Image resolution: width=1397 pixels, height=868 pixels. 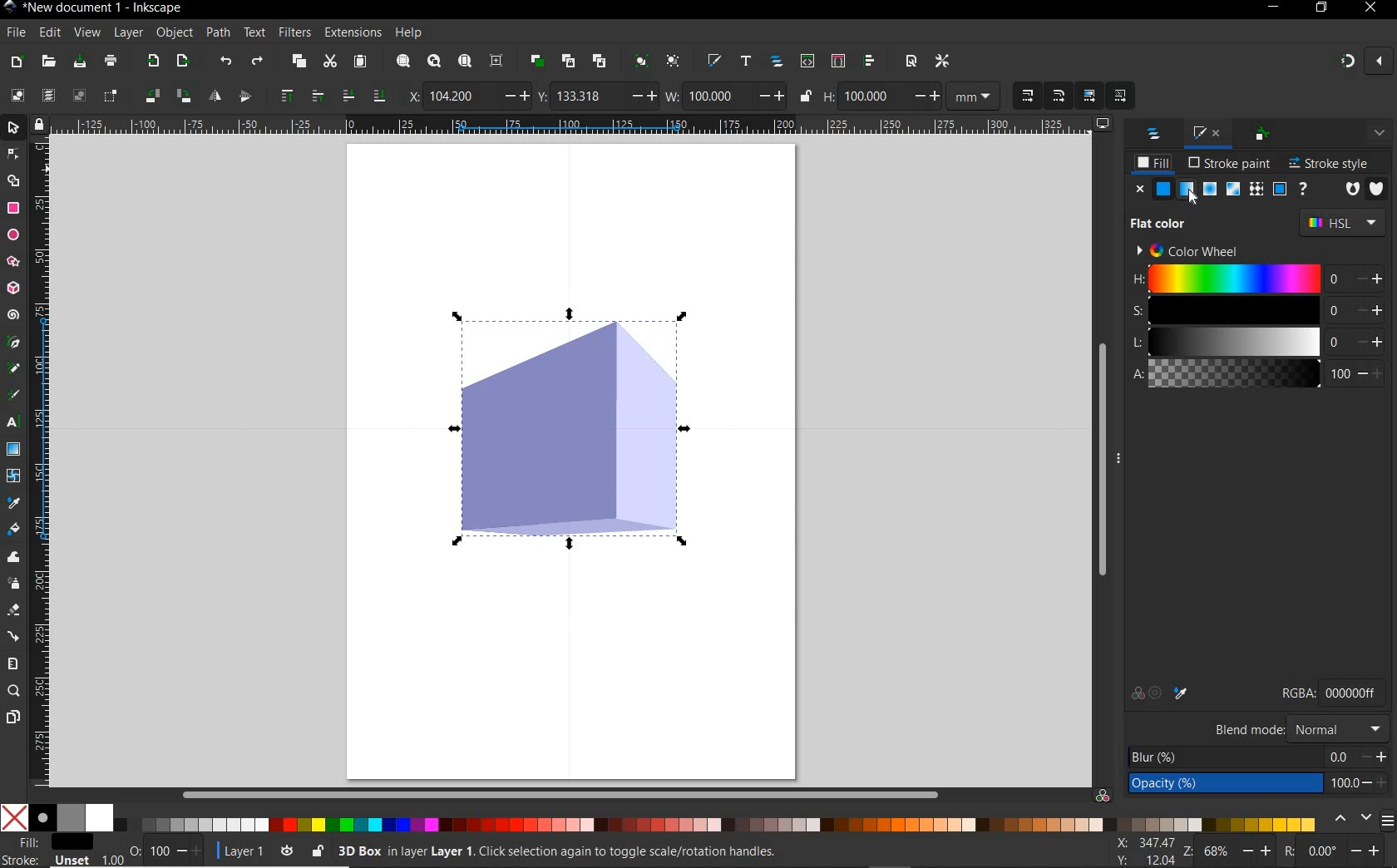 I want to click on TEXT TOOL, so click(x=12, y=425).